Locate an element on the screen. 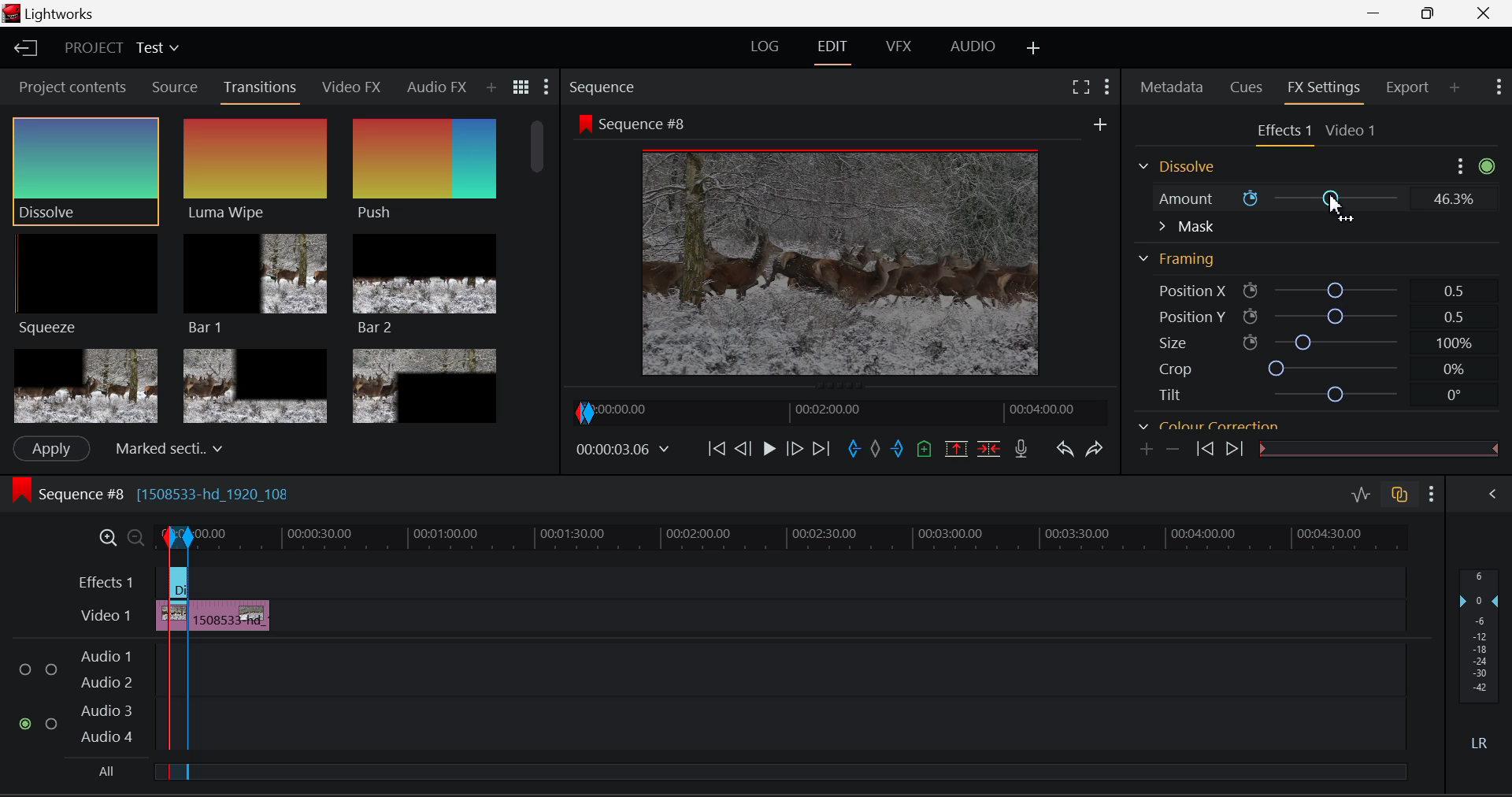 The image size is (1512, 797). Go Forward is located at coordinates (795, 450).